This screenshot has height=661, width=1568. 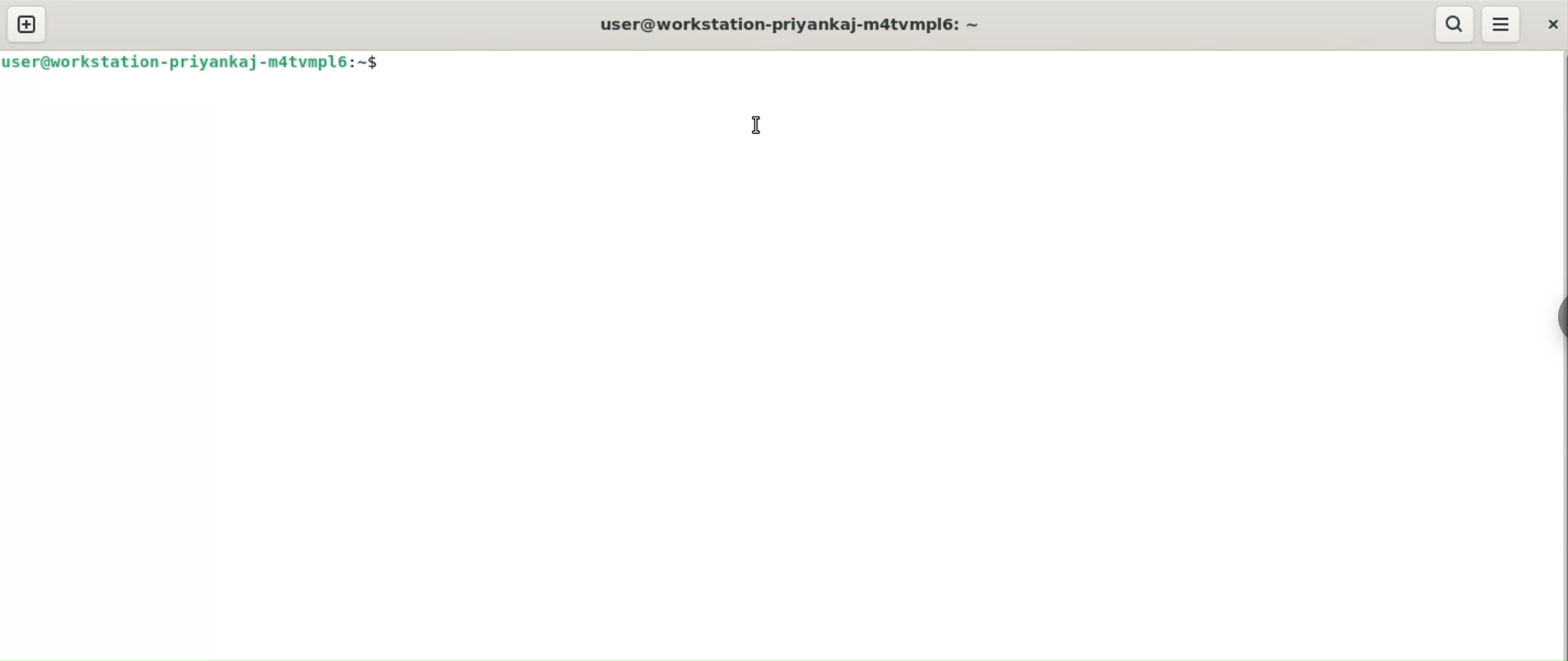 I want to click on user@workstation-priyankaj-m4tvmlp6:~, so click(x=797, y=23).